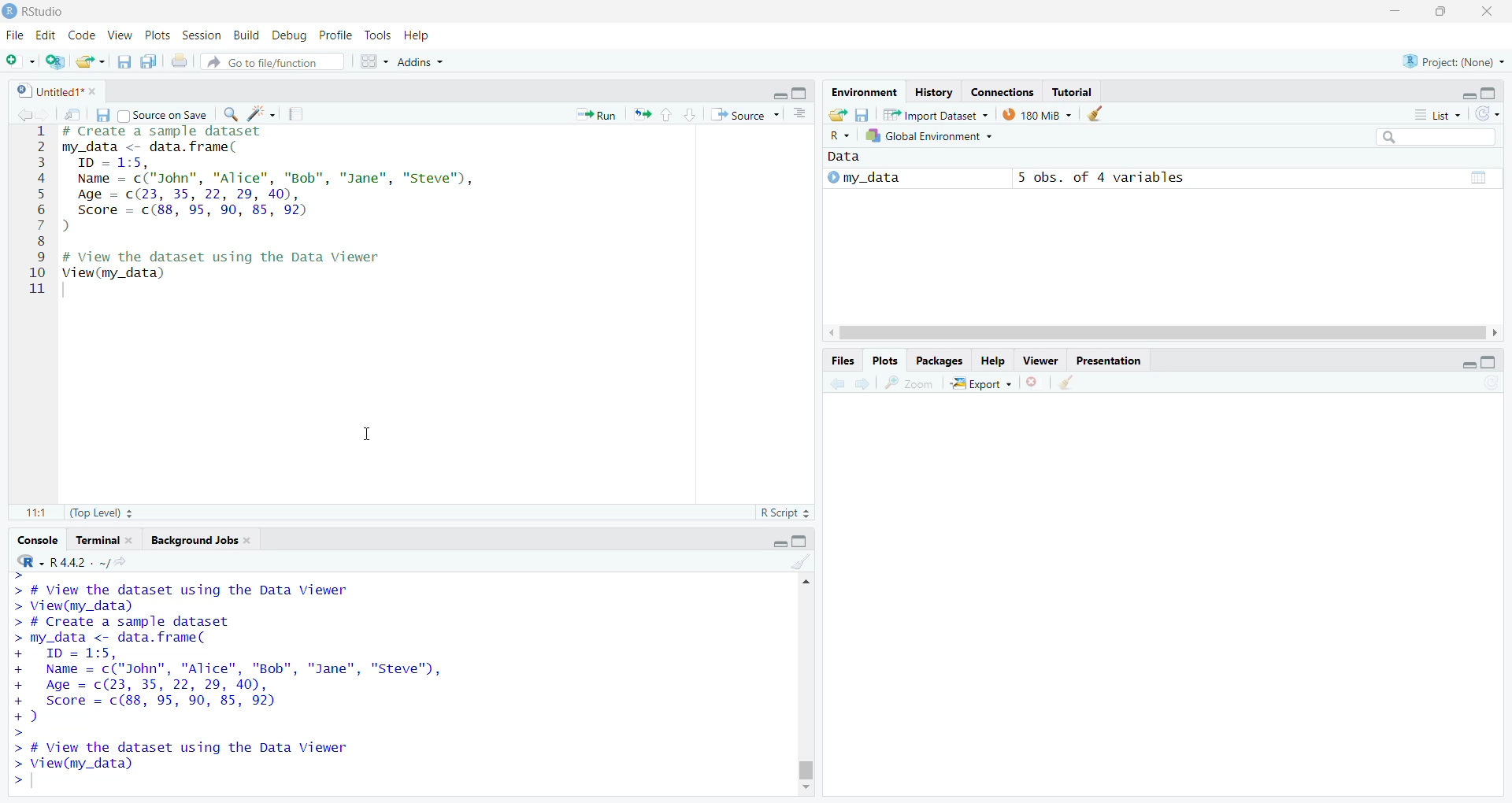 The height and width of the screenshot is (803, 1512). What do you see at coordinates (1032, 385) in the screenshot?
I see `Close file` at bounding box center [1032, 385].